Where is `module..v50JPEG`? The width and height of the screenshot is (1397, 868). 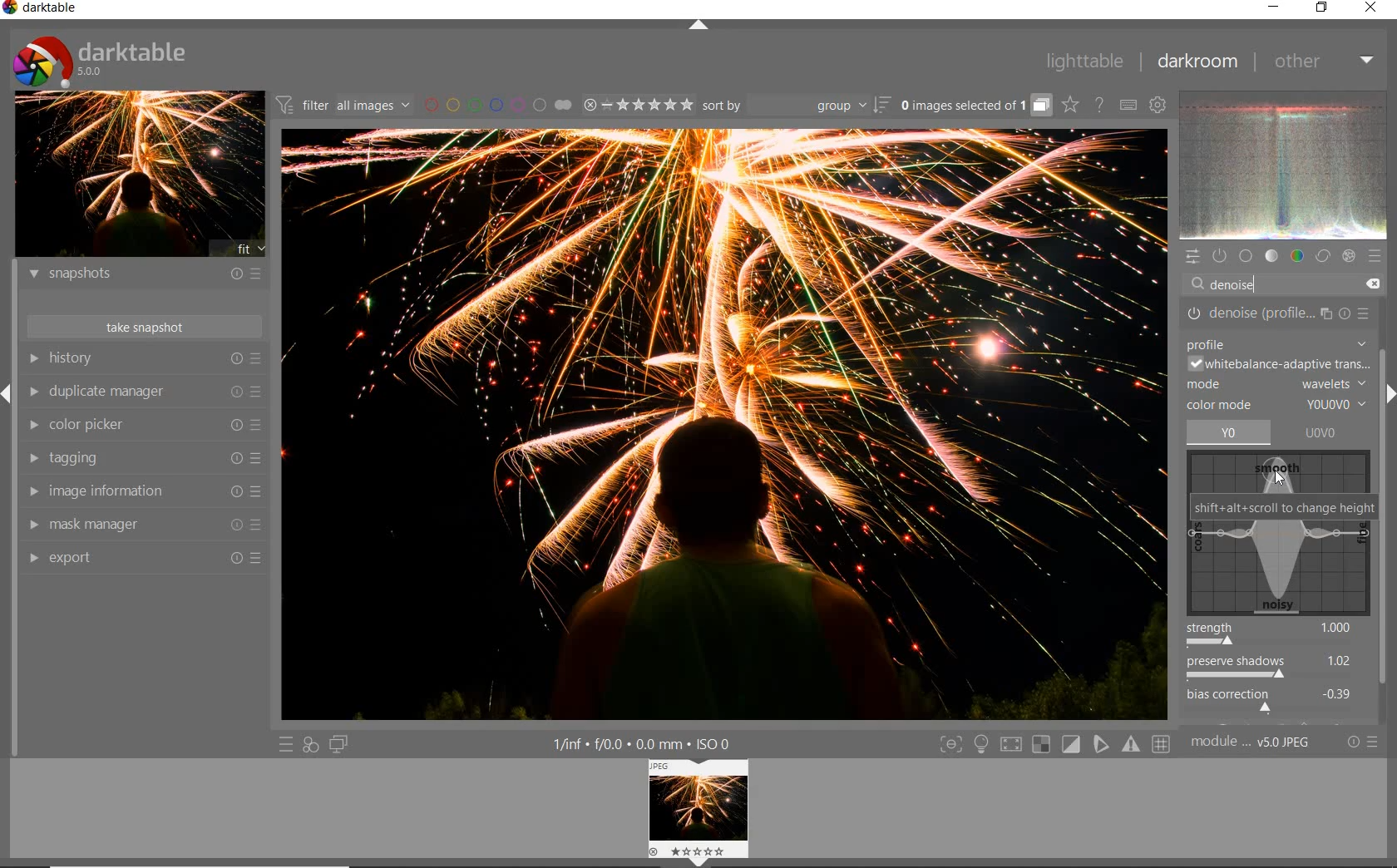
module..v50JPEG is located at coordinates (1249, 742).